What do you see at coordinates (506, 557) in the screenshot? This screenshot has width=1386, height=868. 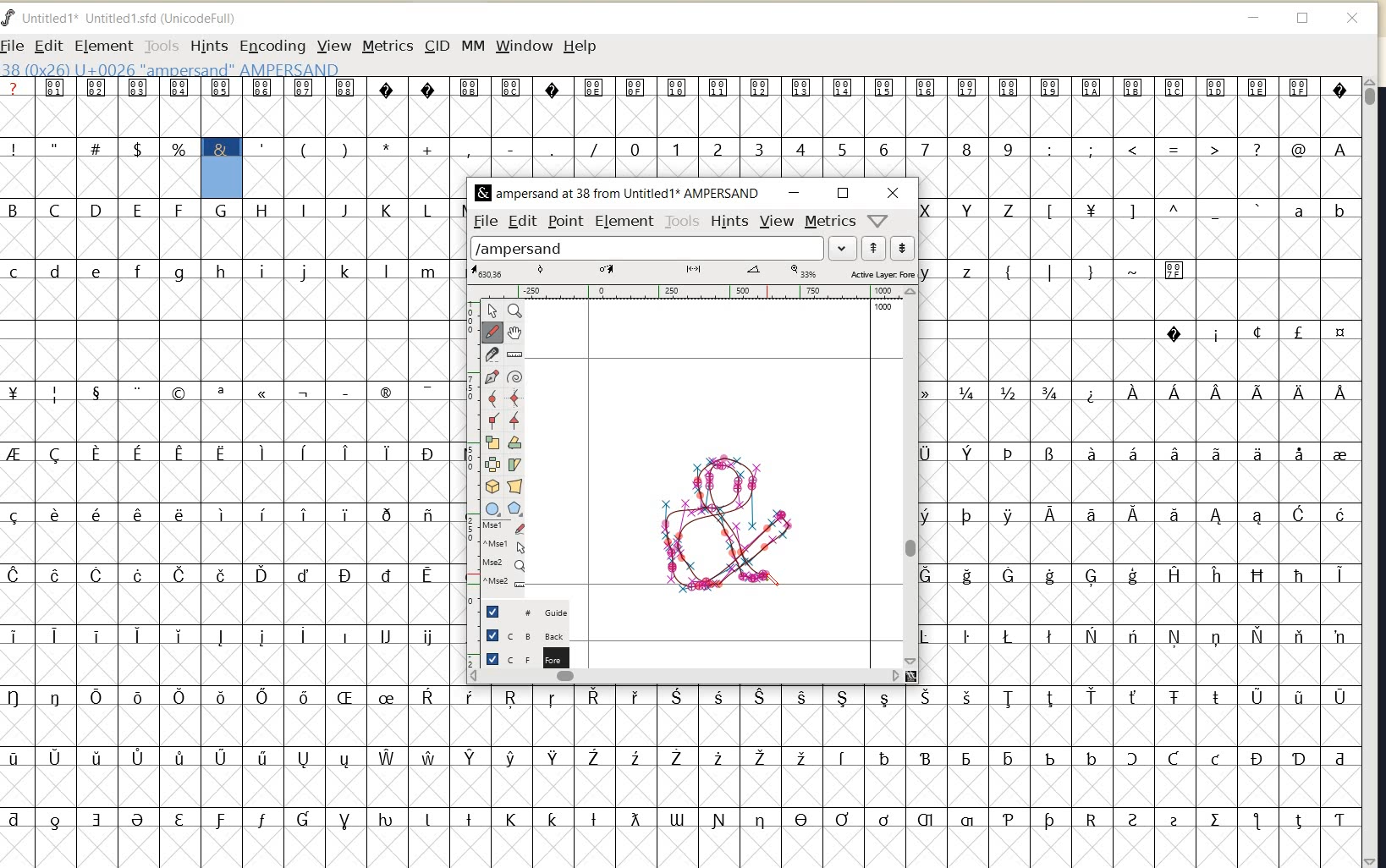 I see `cursor events on the open new outline window` at bounding box center [506, 557].